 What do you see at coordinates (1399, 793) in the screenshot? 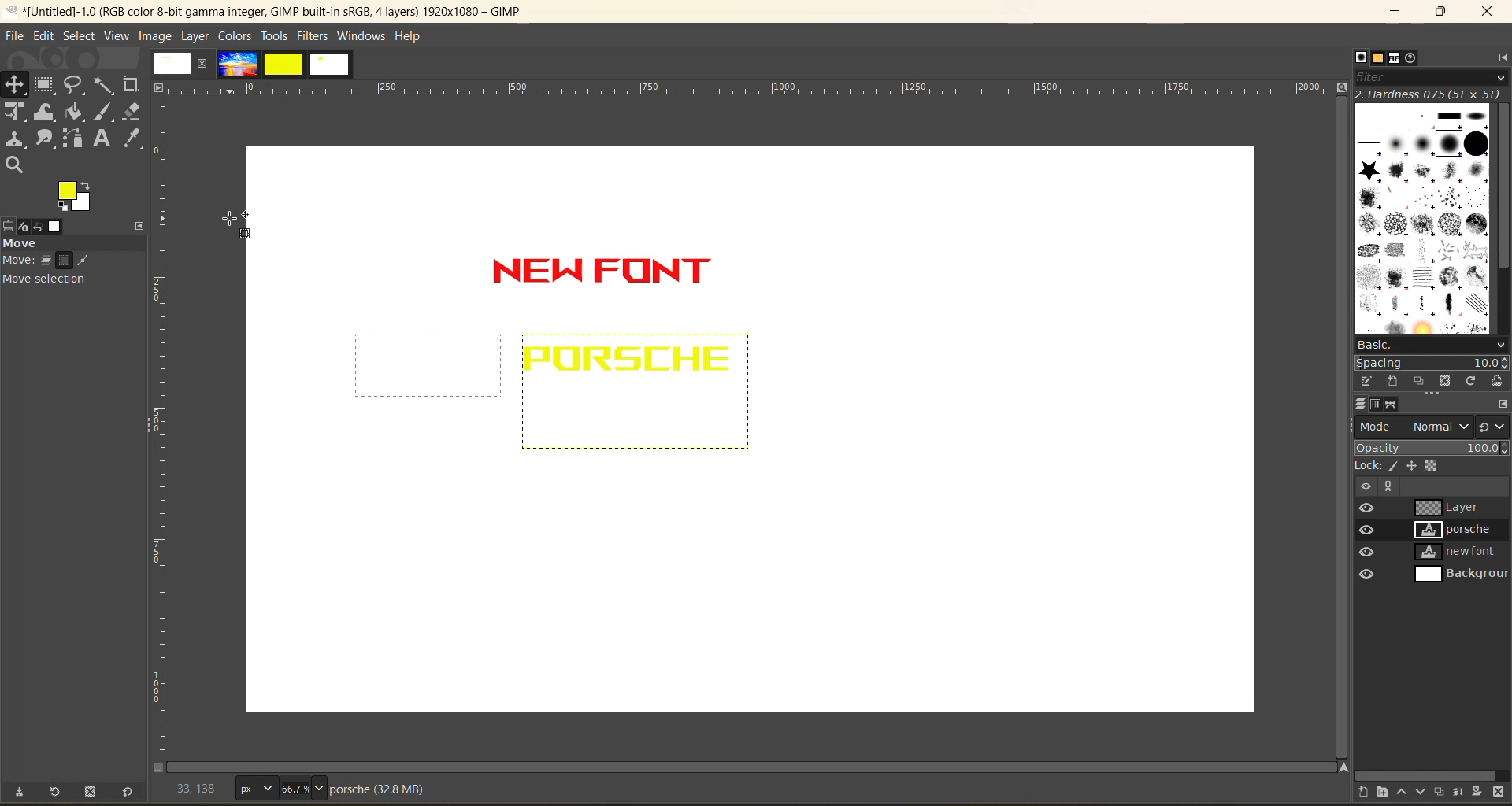
I see `raise the layer` at bounding box center [1399, 793].